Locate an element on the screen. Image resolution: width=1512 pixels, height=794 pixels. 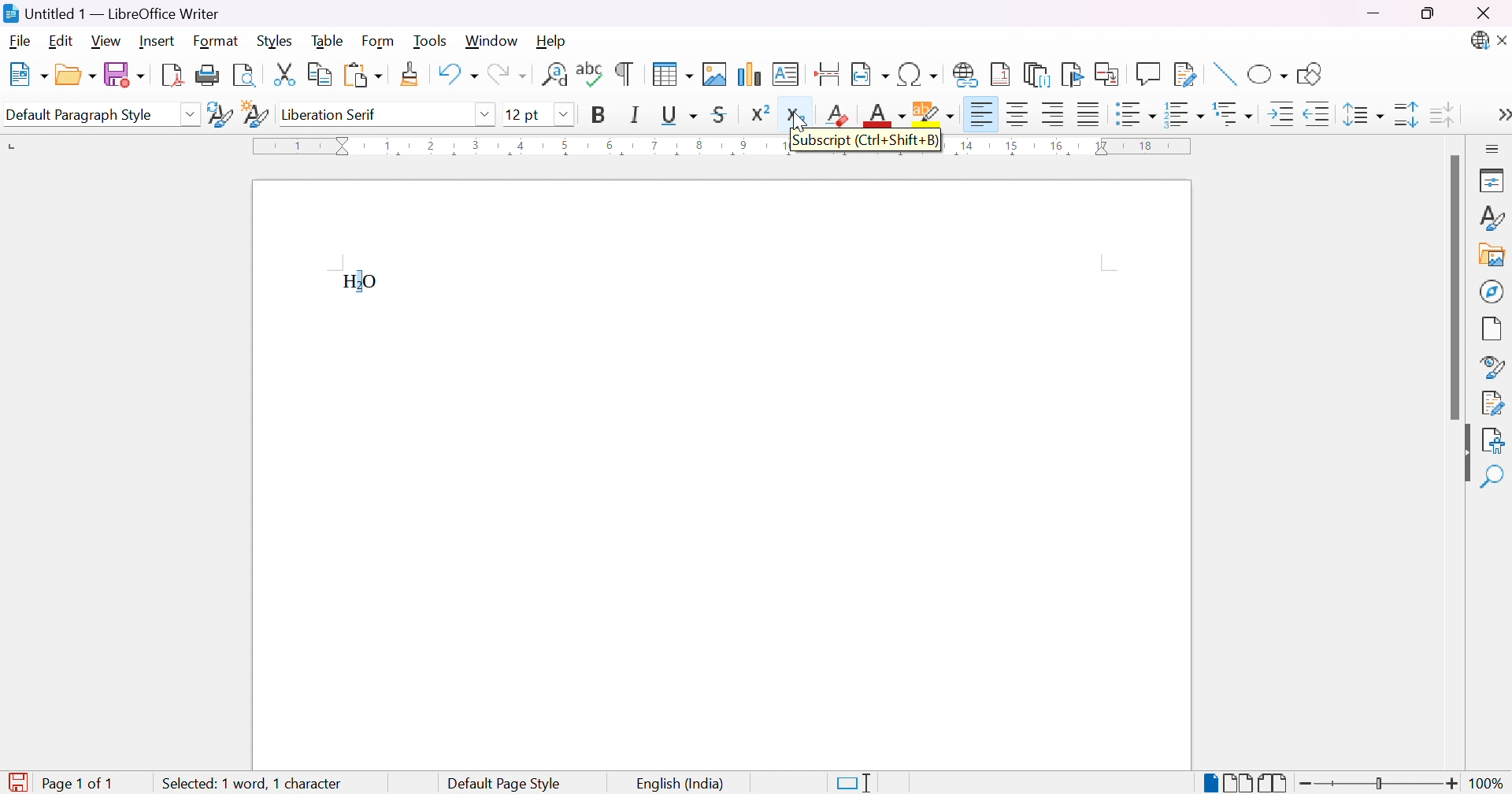
12 pt is located at coordinates (524, 114).